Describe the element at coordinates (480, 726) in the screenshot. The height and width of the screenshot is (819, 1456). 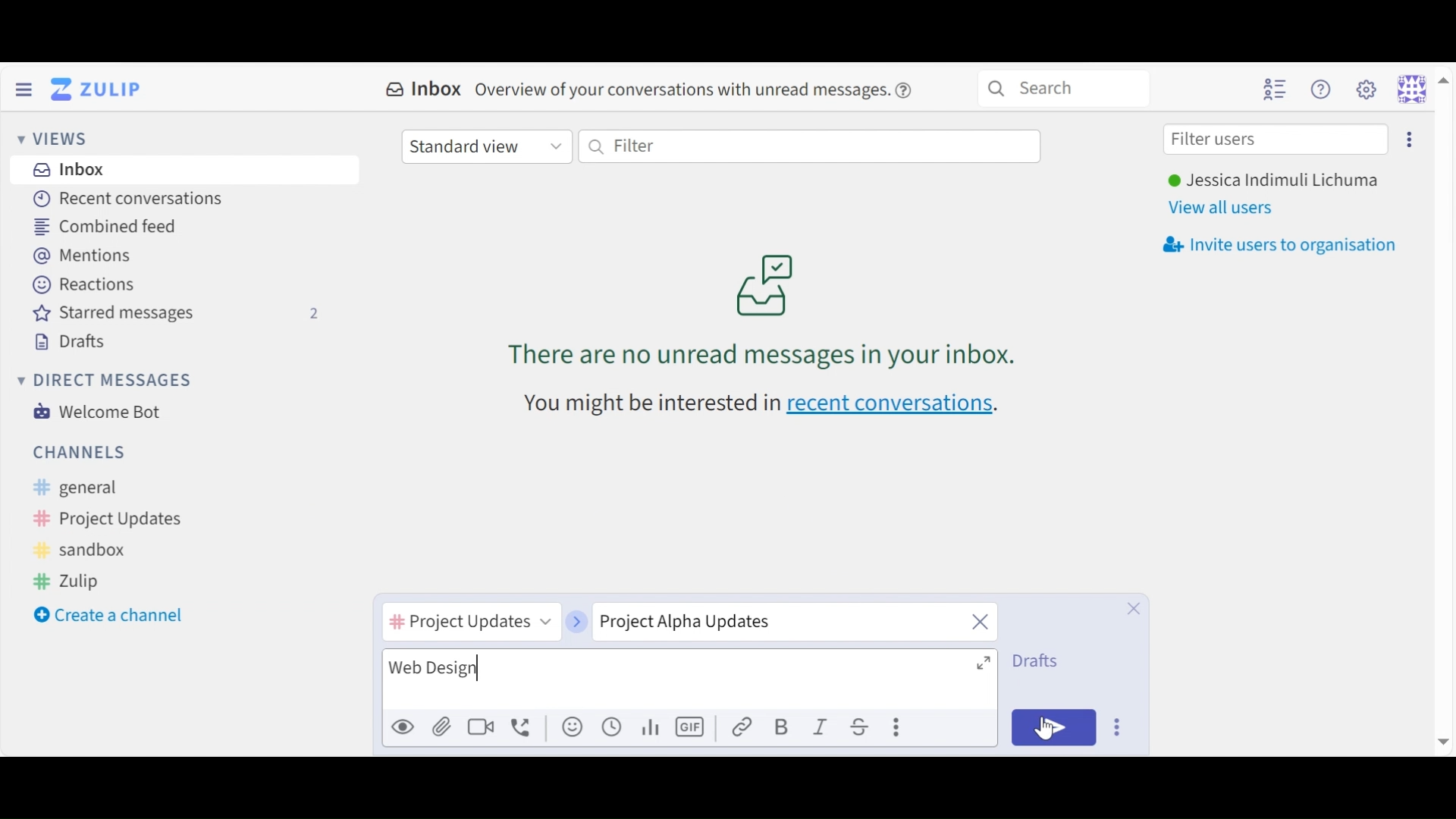
I see `Ad video call` at that location.